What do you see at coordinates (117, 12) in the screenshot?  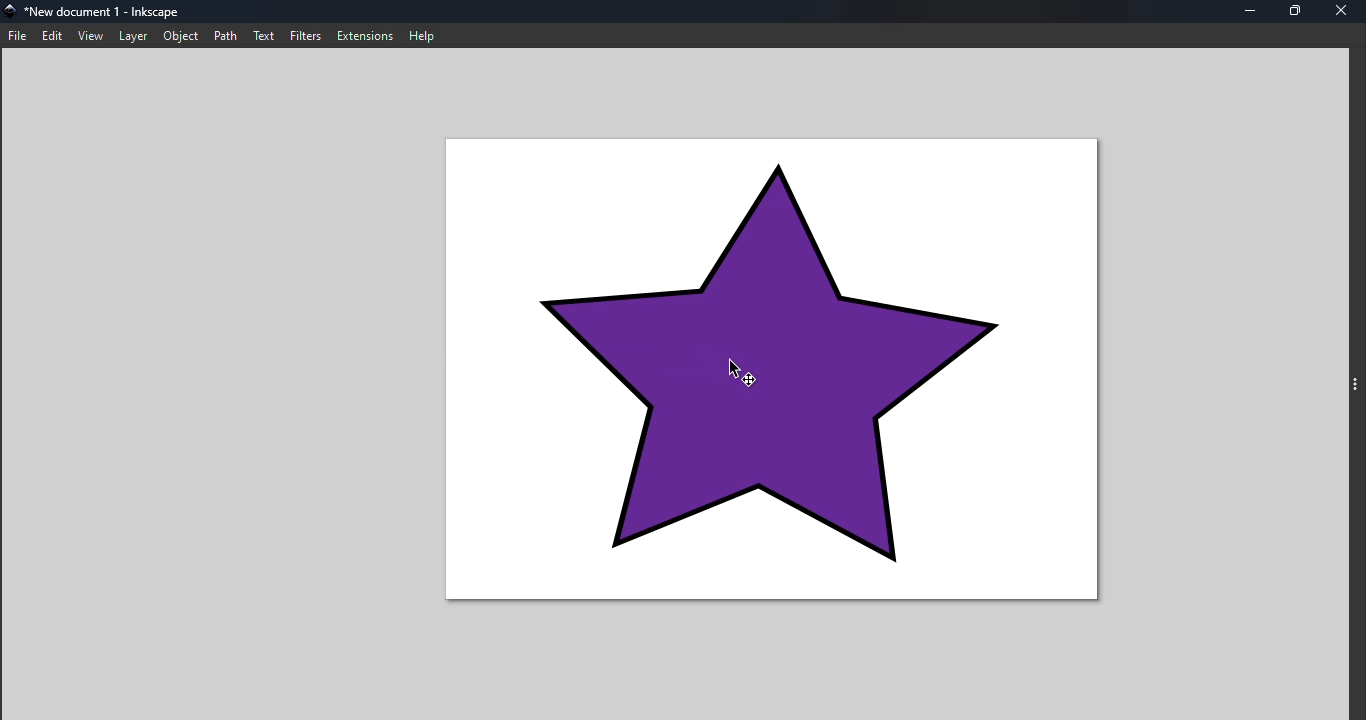 I see `File name` at bounding box center [117, 12].